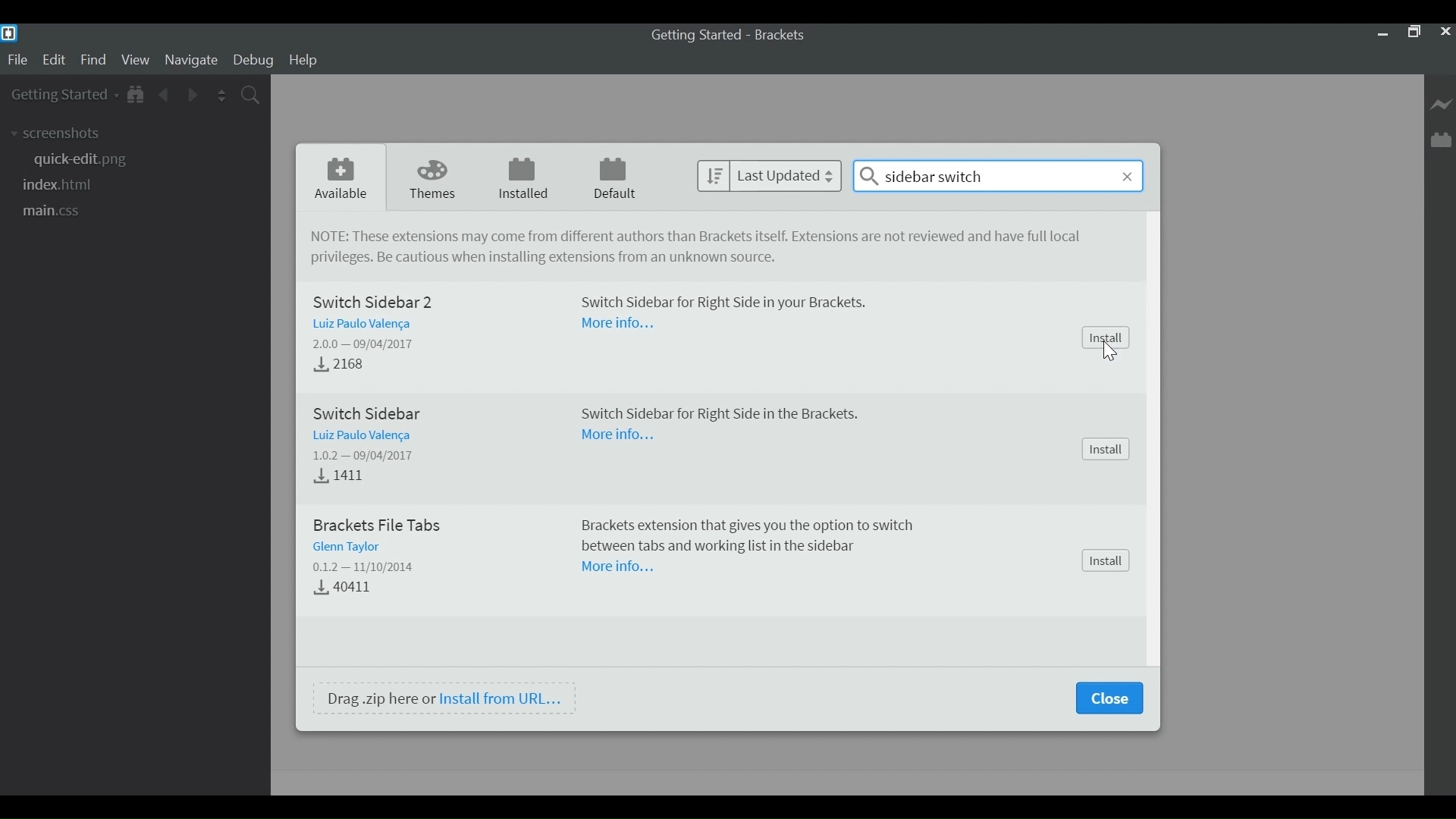  I want to click on more information, so click(613, 325).